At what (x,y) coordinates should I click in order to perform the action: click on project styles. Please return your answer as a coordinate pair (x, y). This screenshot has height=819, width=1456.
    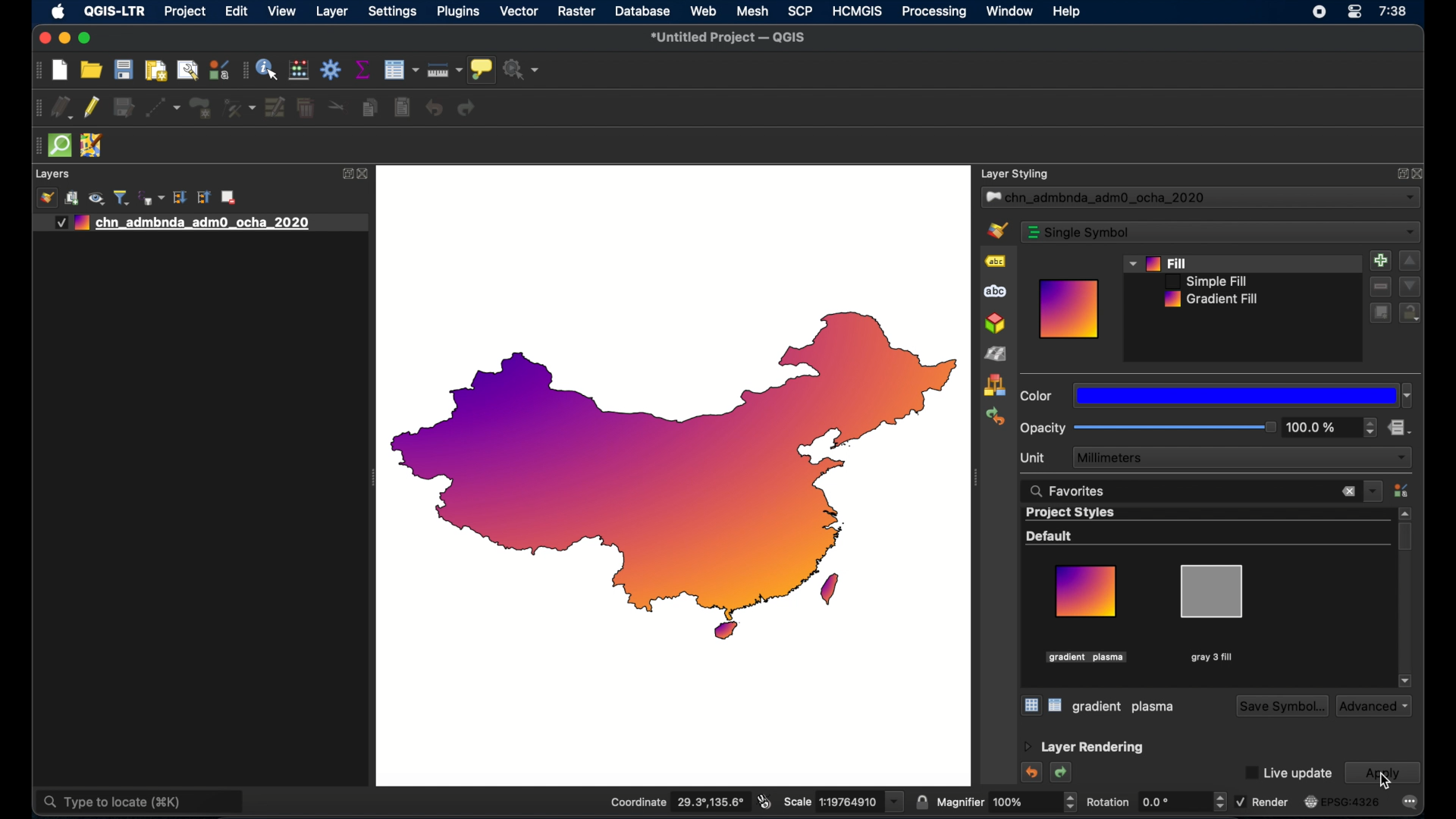
    Looking at the image, I should click on (1072, 513).